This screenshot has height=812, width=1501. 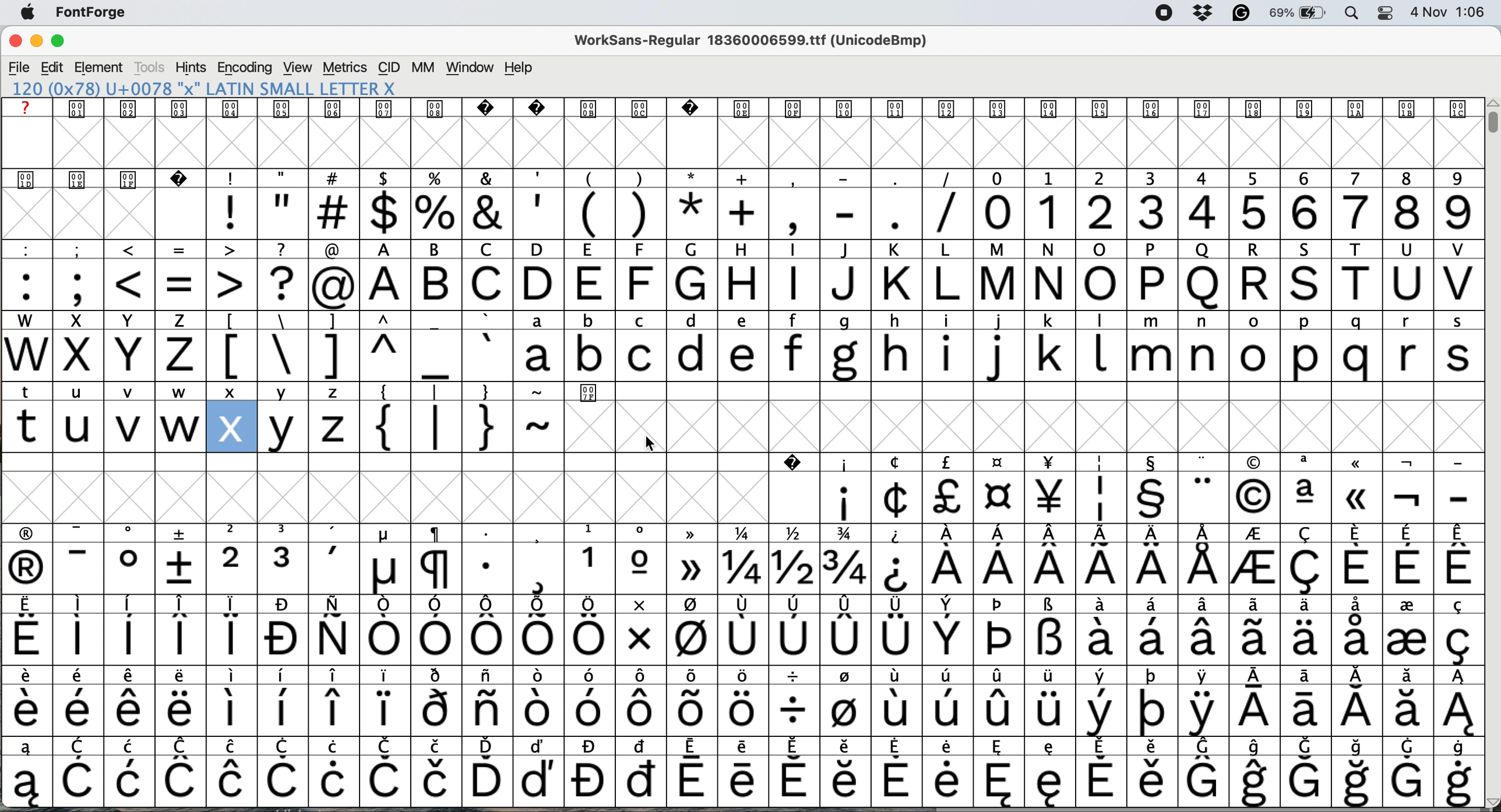 What do you see at coordinates (993, 355) in the screenshot?
I see `lower case letters a to s` at bounding box center [993, 355].